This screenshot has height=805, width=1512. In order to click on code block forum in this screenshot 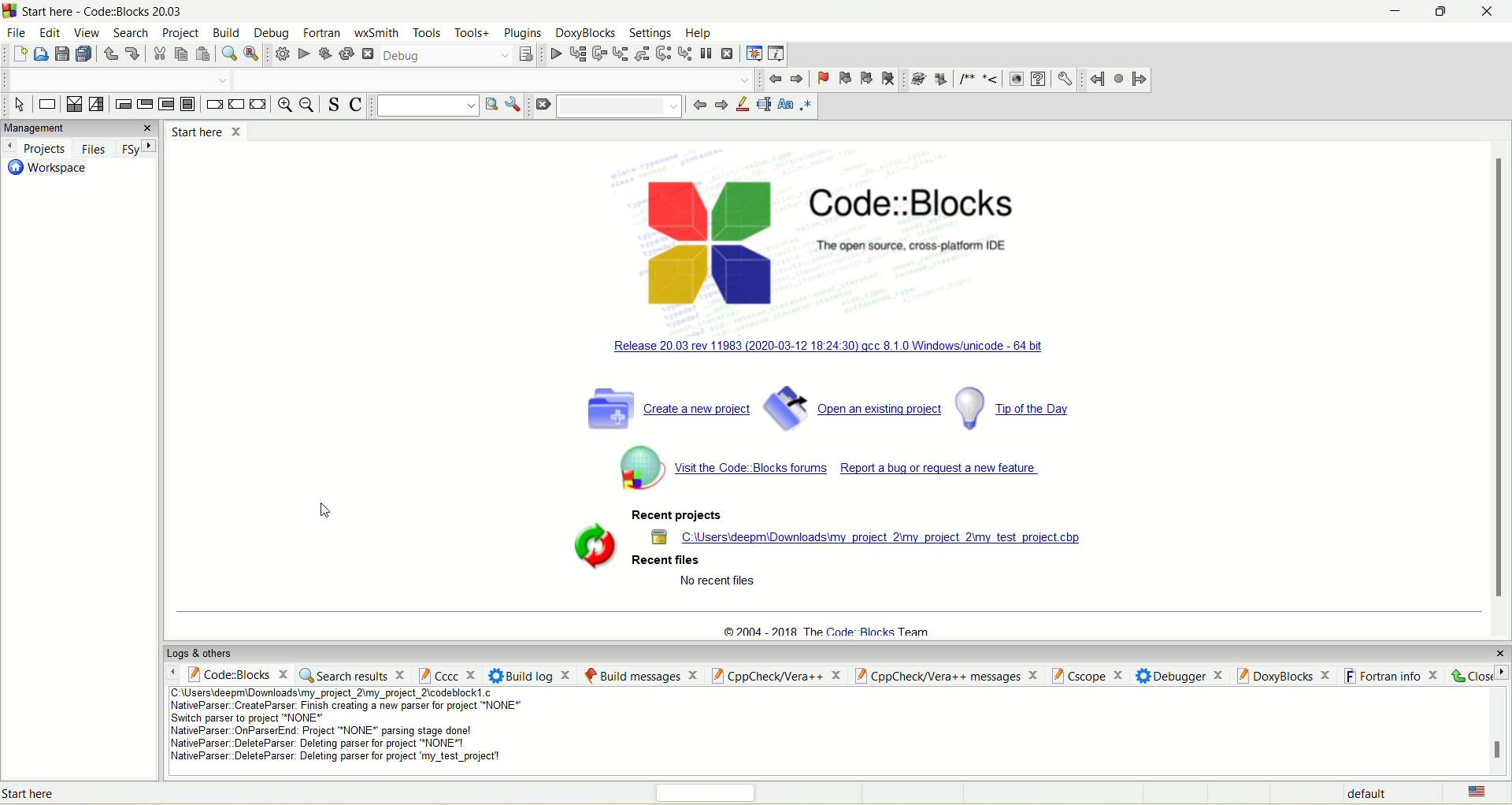, I will do `click(724, 466)`.